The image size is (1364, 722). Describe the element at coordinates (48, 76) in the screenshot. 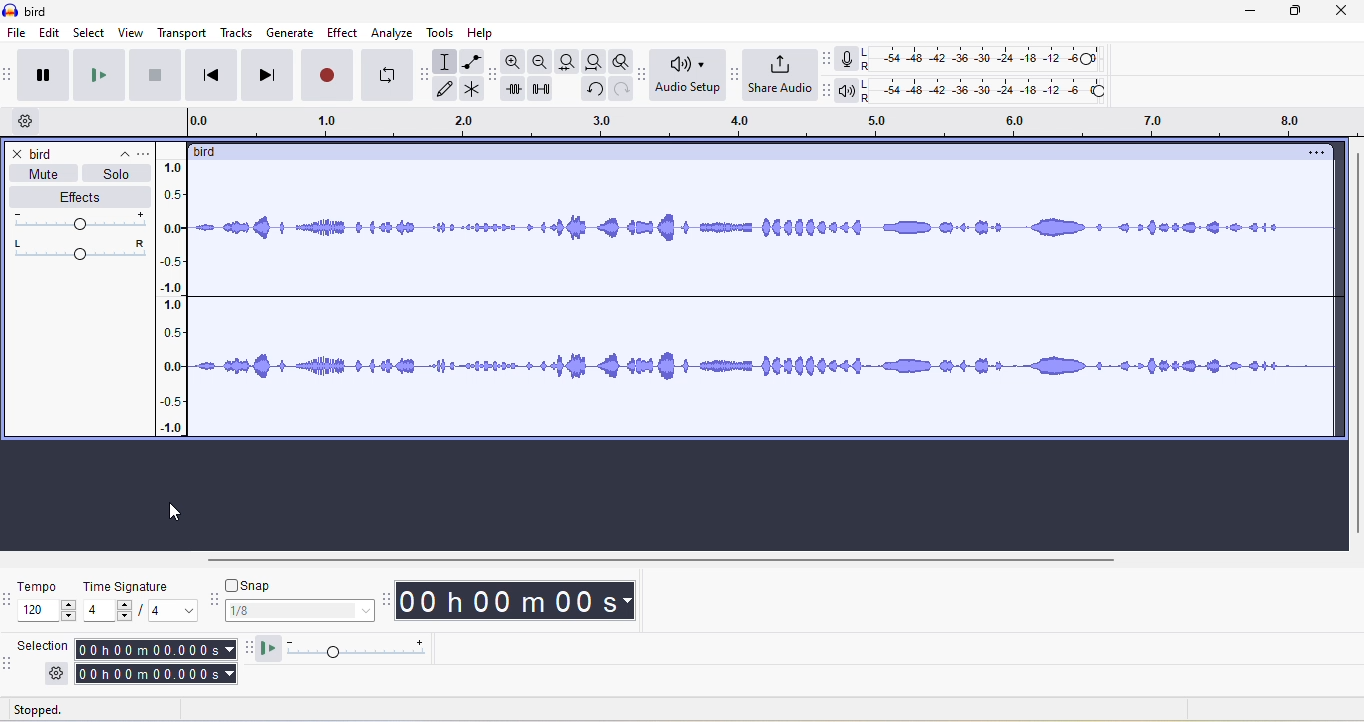

I see `pause` at that location.